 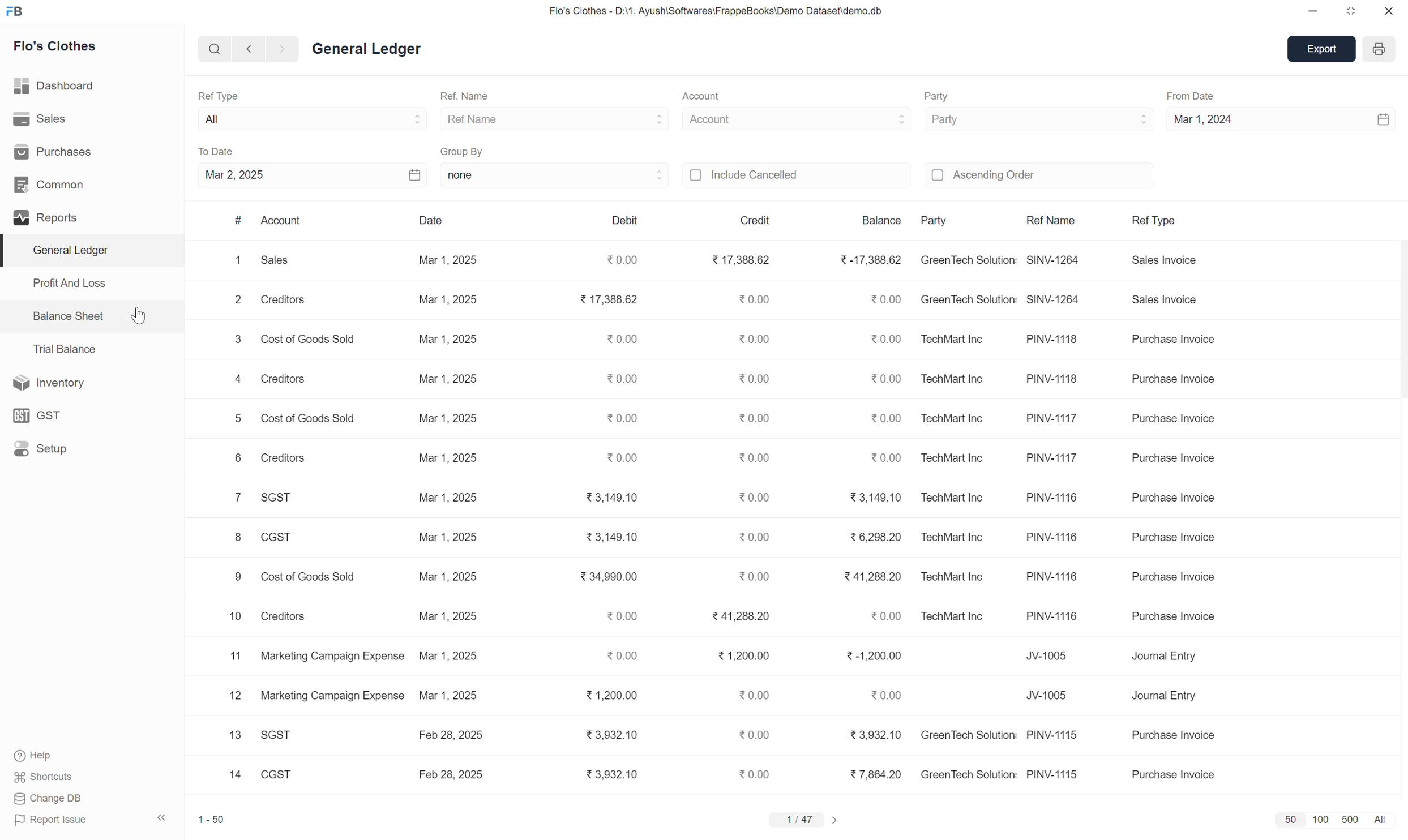 I want to click on year, so click(x=1382, y=50).